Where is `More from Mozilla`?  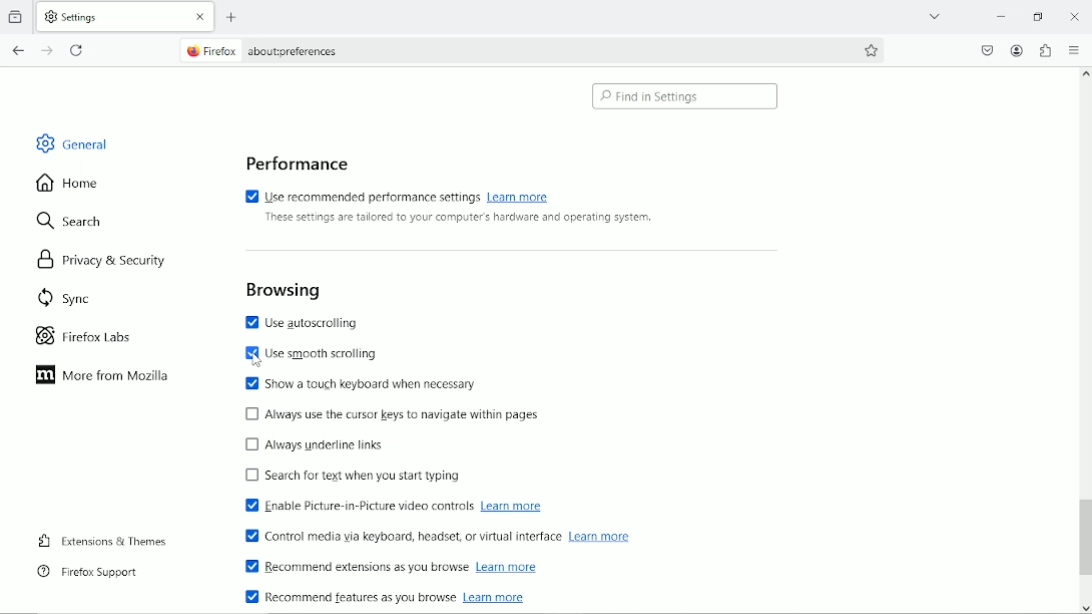 More from Mozilla is located at coordinates (100, 376).